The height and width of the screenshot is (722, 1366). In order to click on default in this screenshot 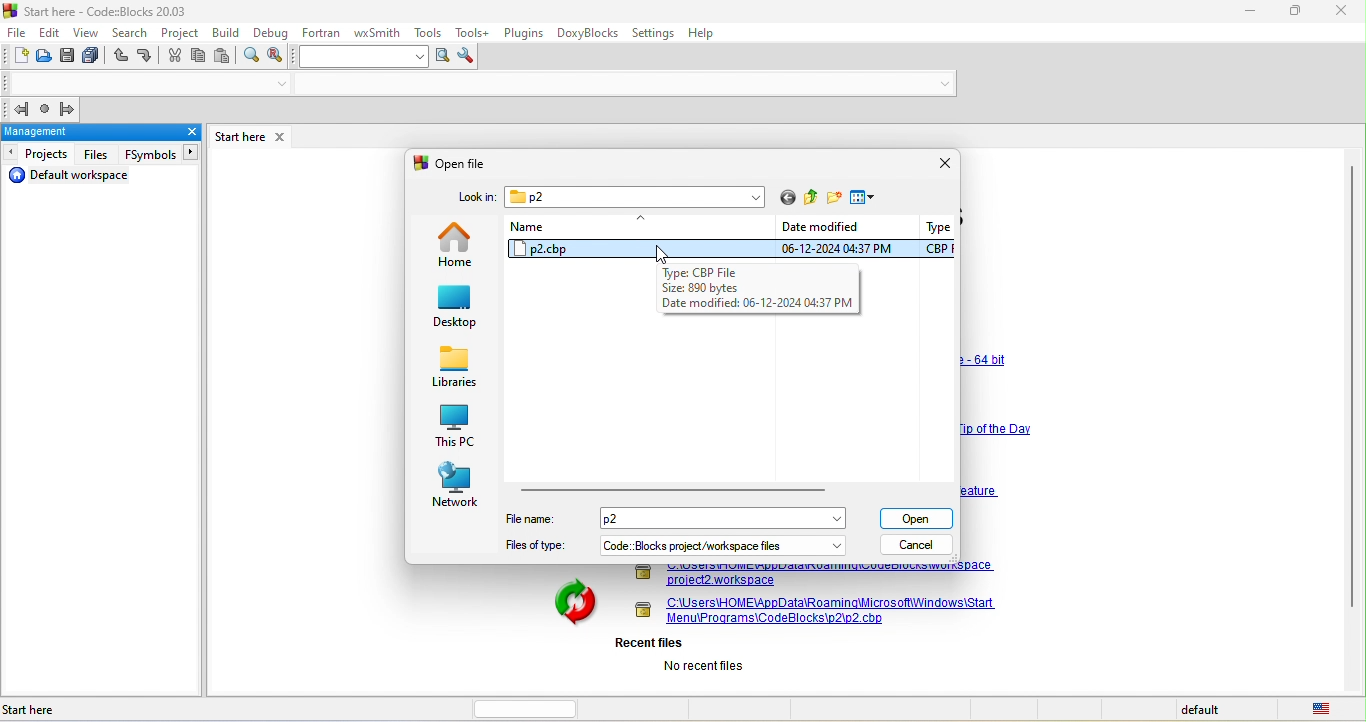, I will do `click(1206, 710)`.